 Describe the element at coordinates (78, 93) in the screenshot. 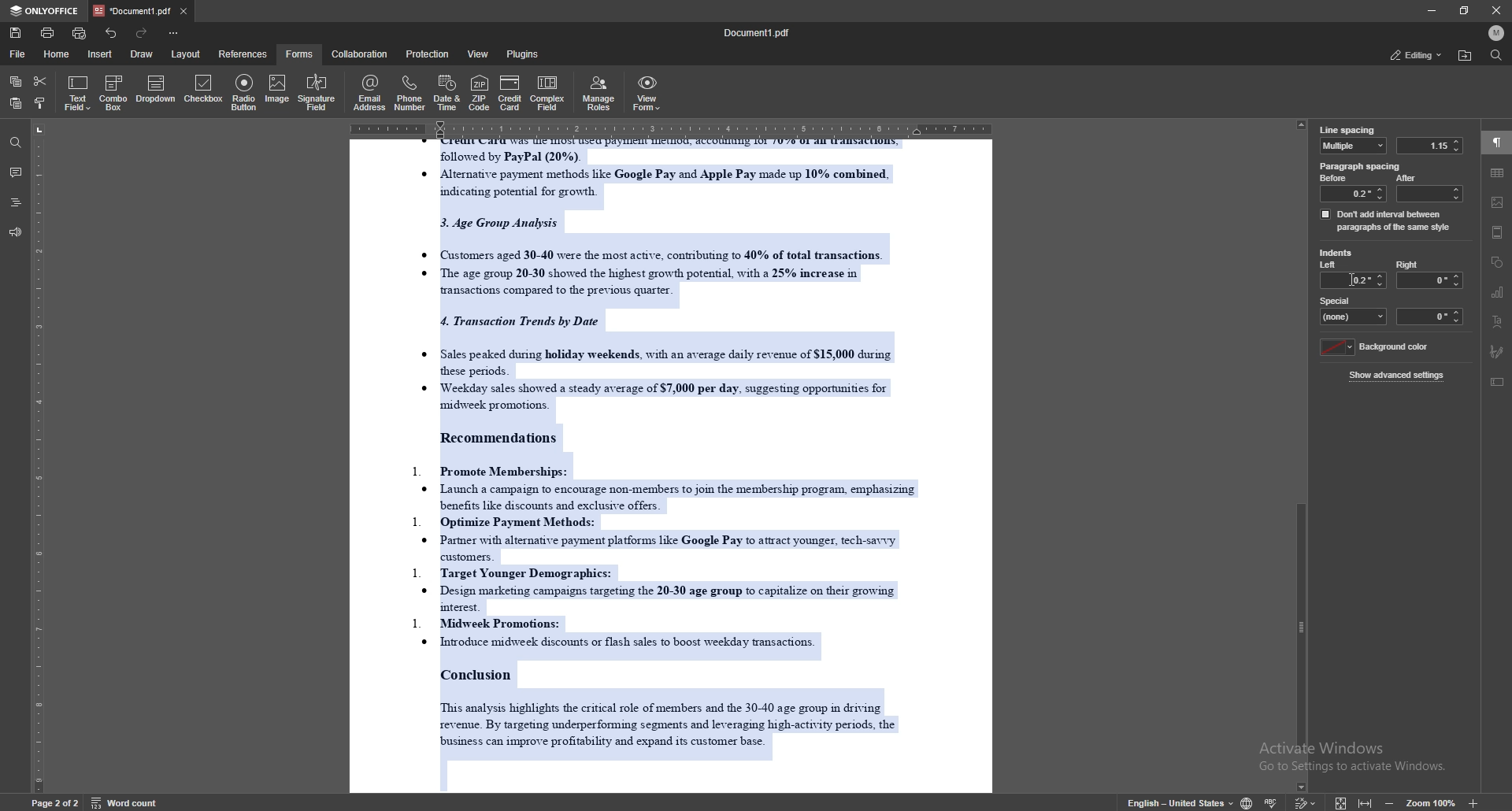

I see `text field` at that location.